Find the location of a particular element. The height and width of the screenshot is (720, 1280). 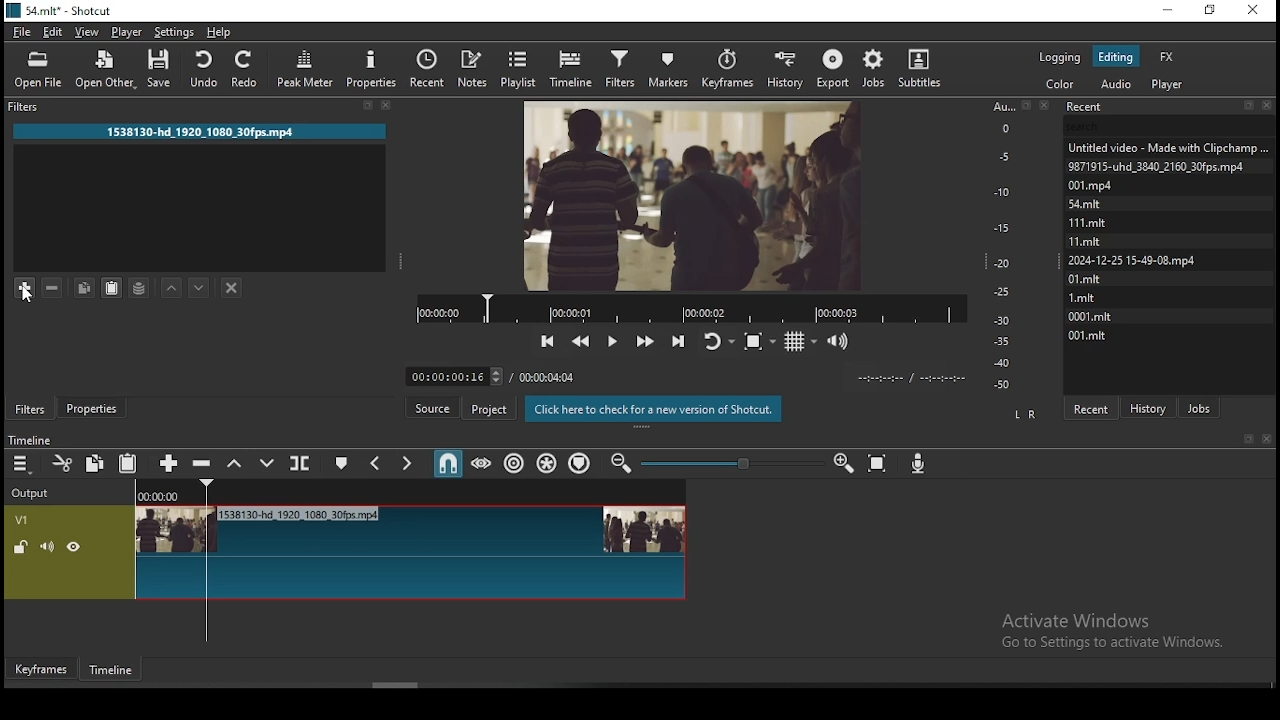

open file is located at coordinates (38, 70).